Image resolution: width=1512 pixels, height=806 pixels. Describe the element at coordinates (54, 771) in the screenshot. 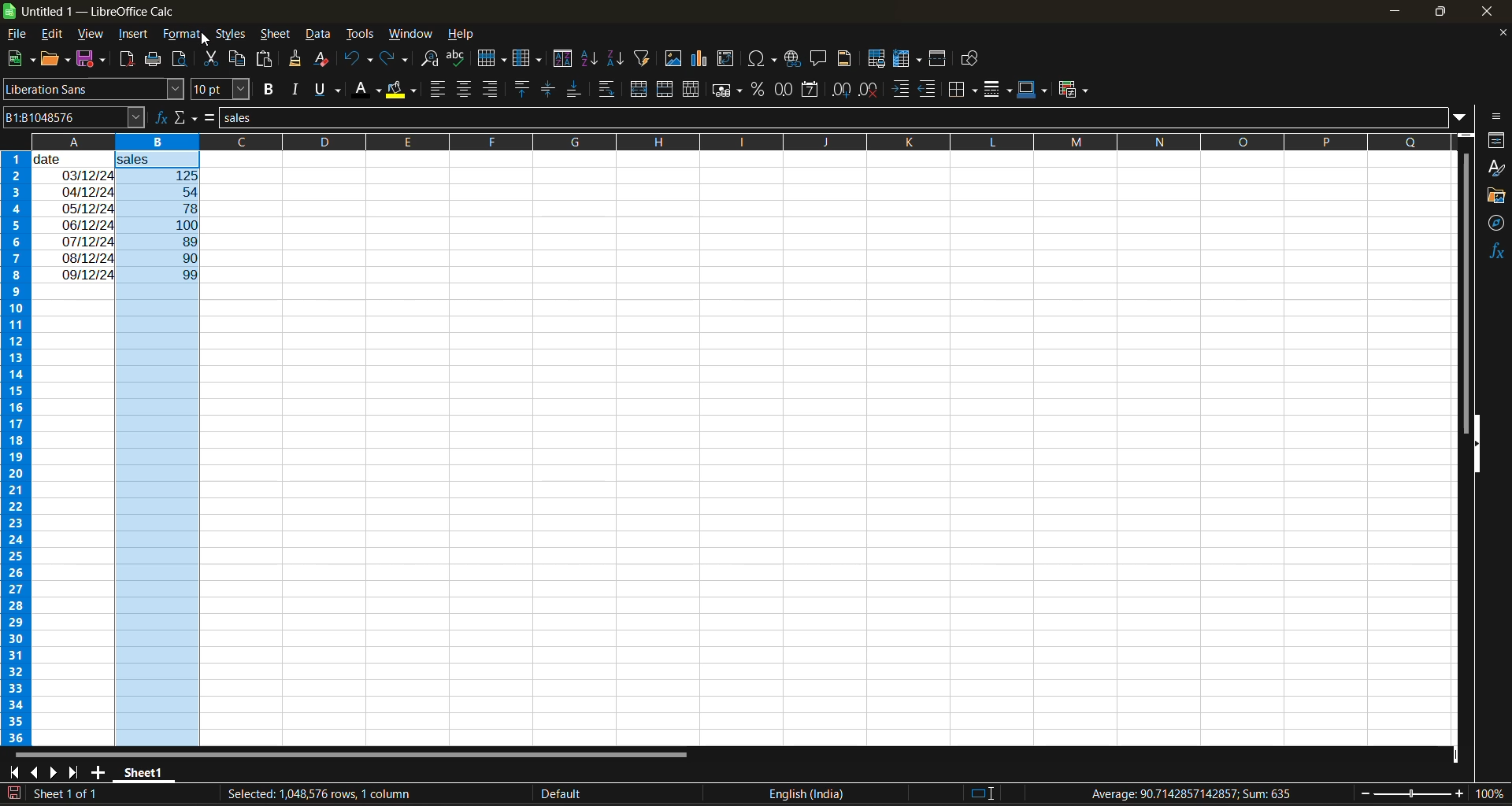

I see `scroll to next sheet` at that location.